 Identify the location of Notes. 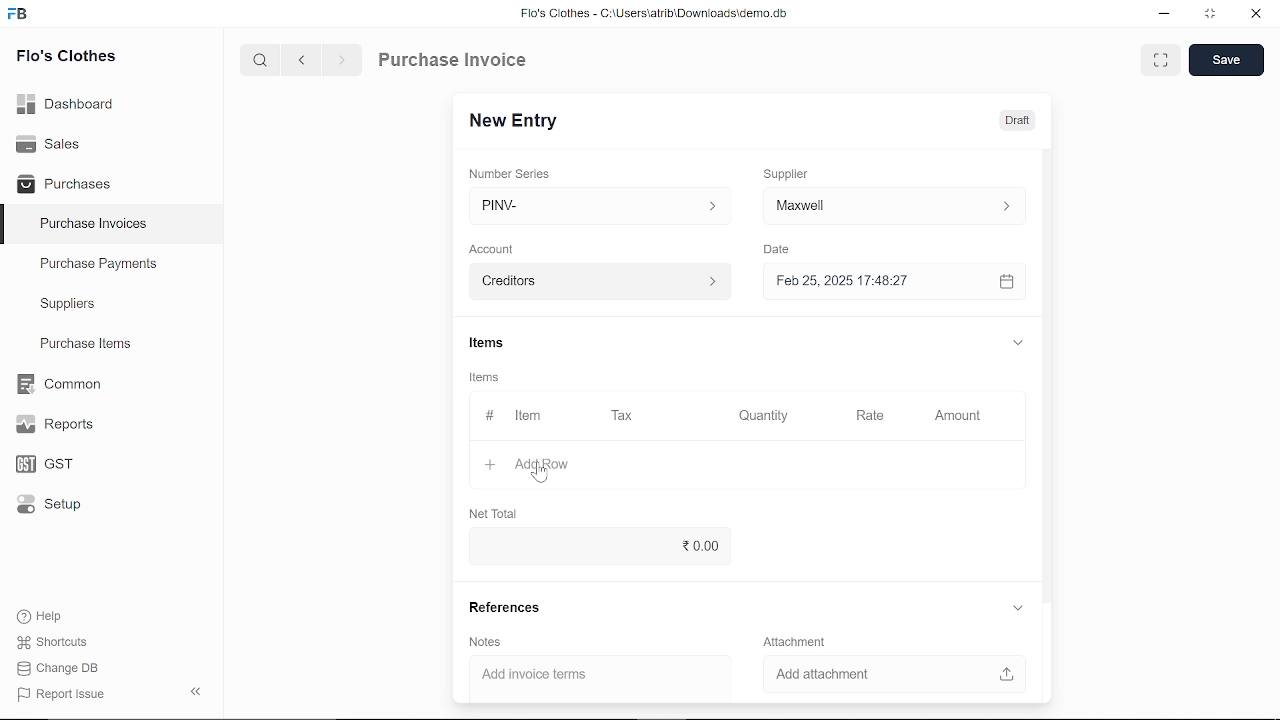
(487, 643).